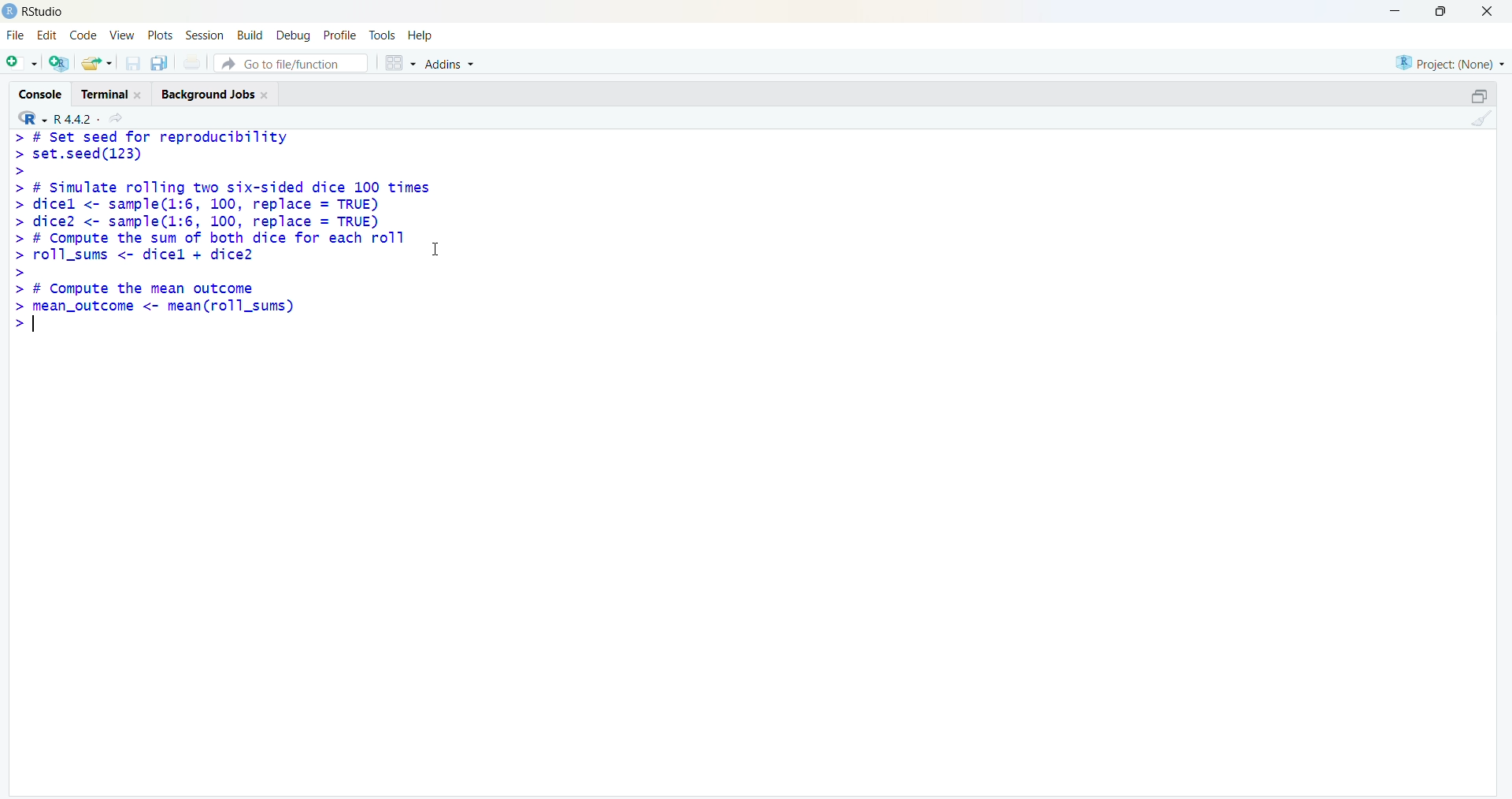  I want to click on share icon , so click(117, 119).